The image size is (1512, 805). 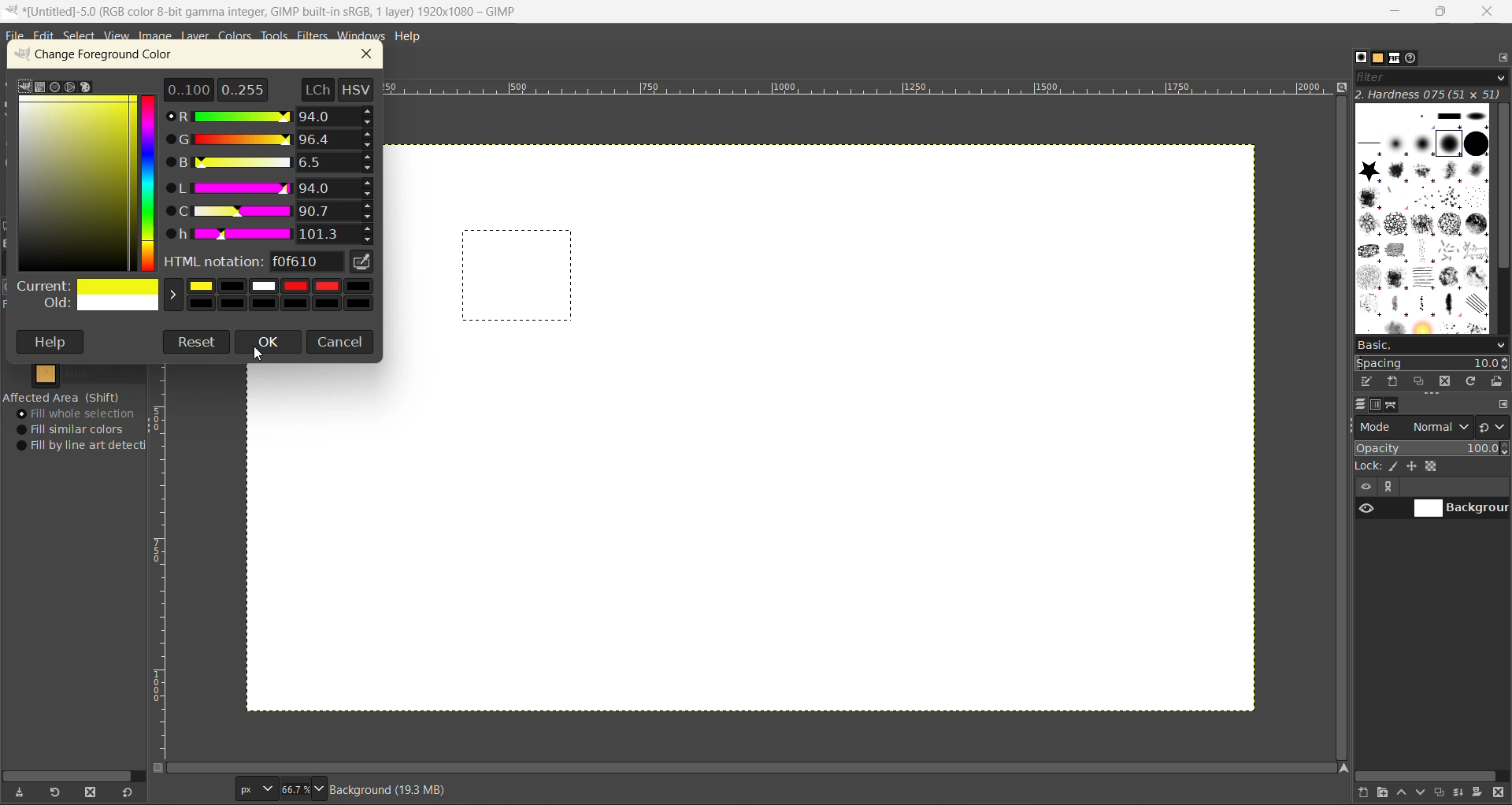 What do you see at coordinates (1393, 488) in the screenshot?
I see `more` at bounding box center [1393, 488].